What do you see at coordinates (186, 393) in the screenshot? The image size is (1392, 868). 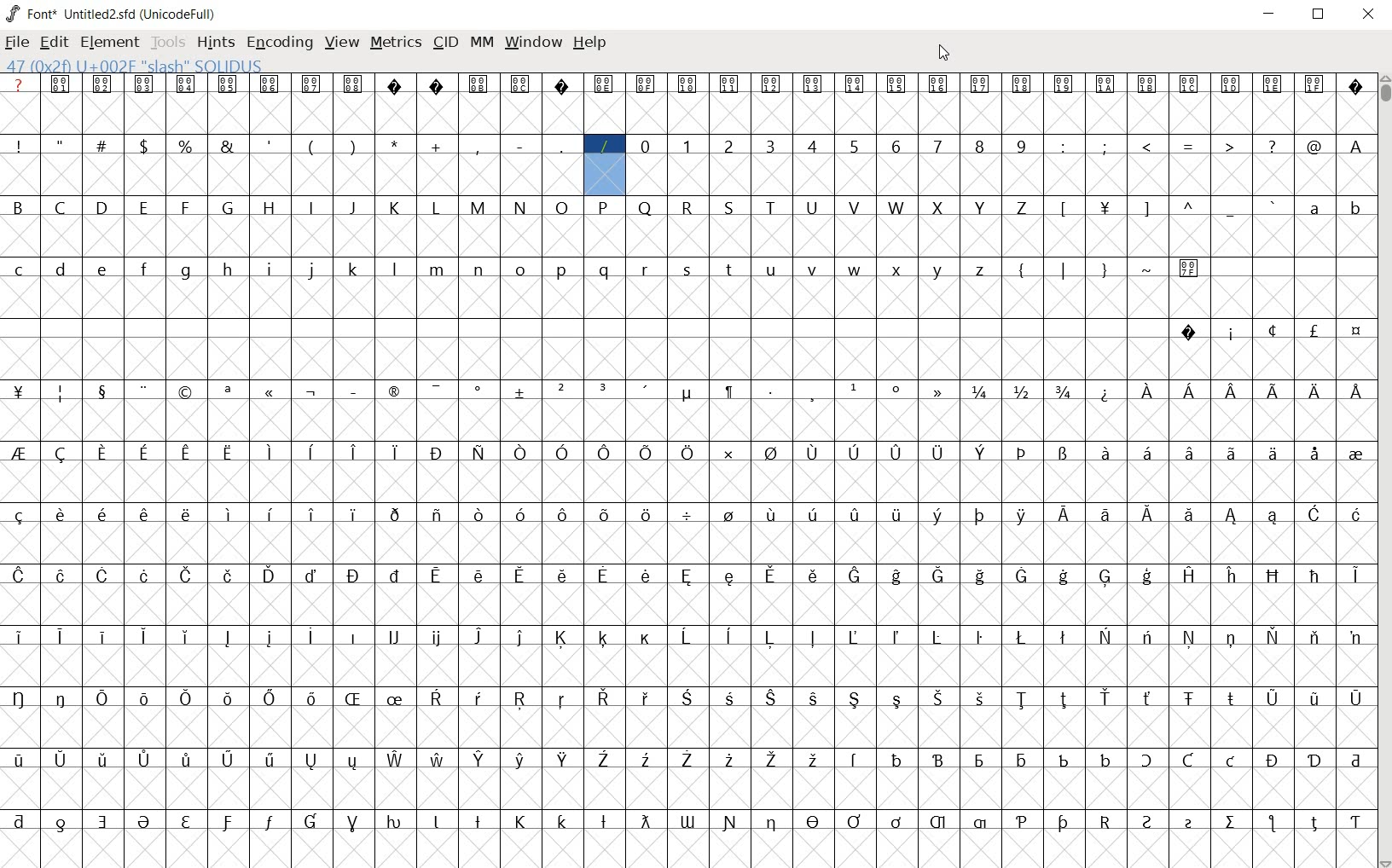 I see `glyph` at bounding box center [186, 393].